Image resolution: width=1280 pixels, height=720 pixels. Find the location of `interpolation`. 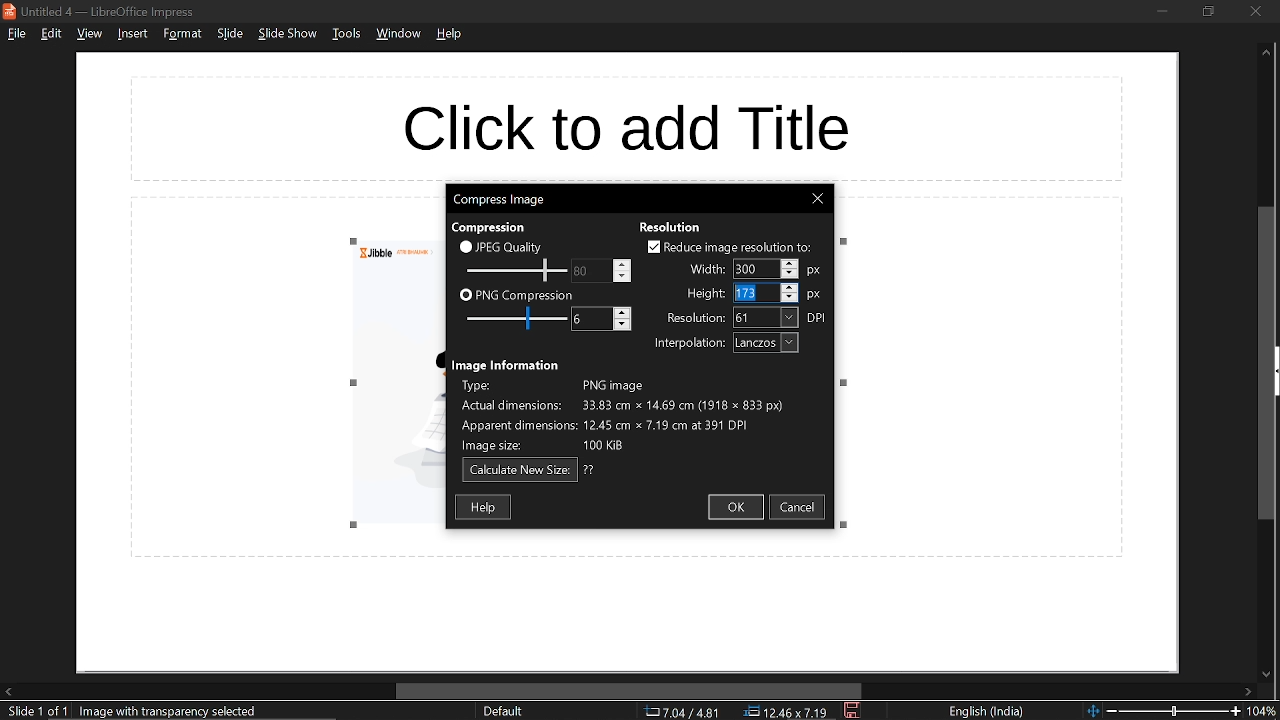

interpolation is located at coordinates (765, 343).